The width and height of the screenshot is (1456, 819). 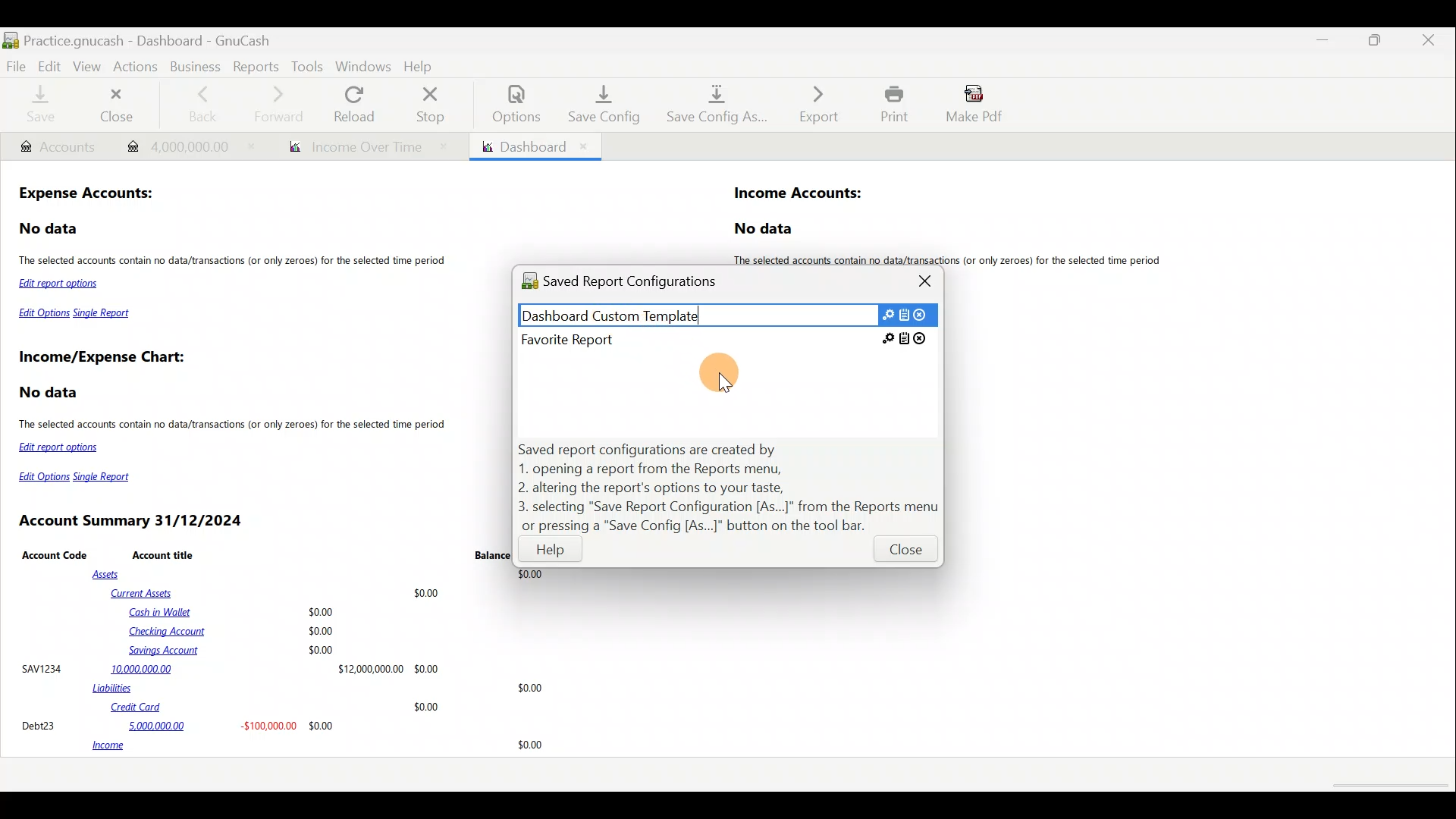 I want to click on Options, so click(x=509, y=104).